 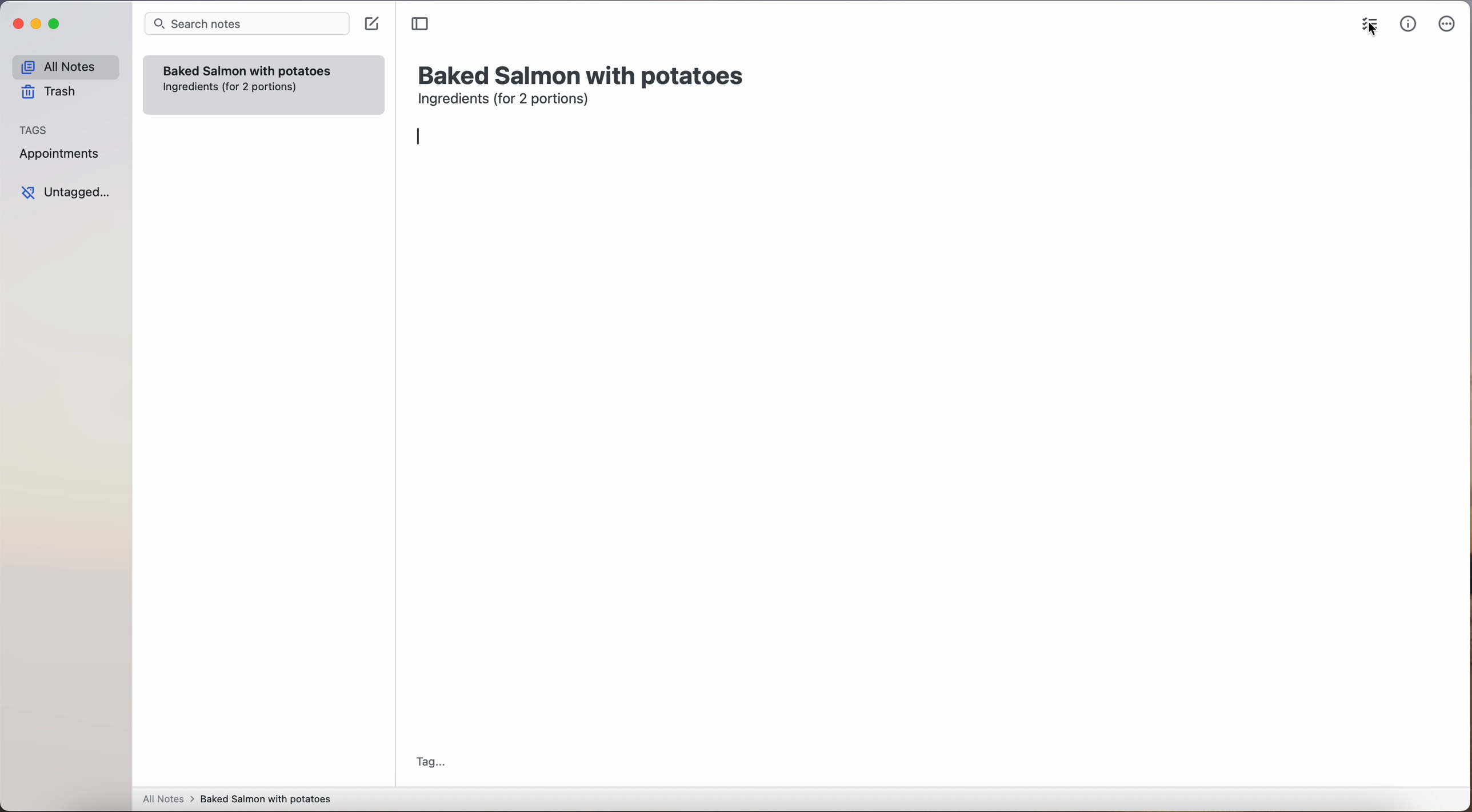 I want to click on Baked Salmon with potatoes, so click(x=247, y=69).